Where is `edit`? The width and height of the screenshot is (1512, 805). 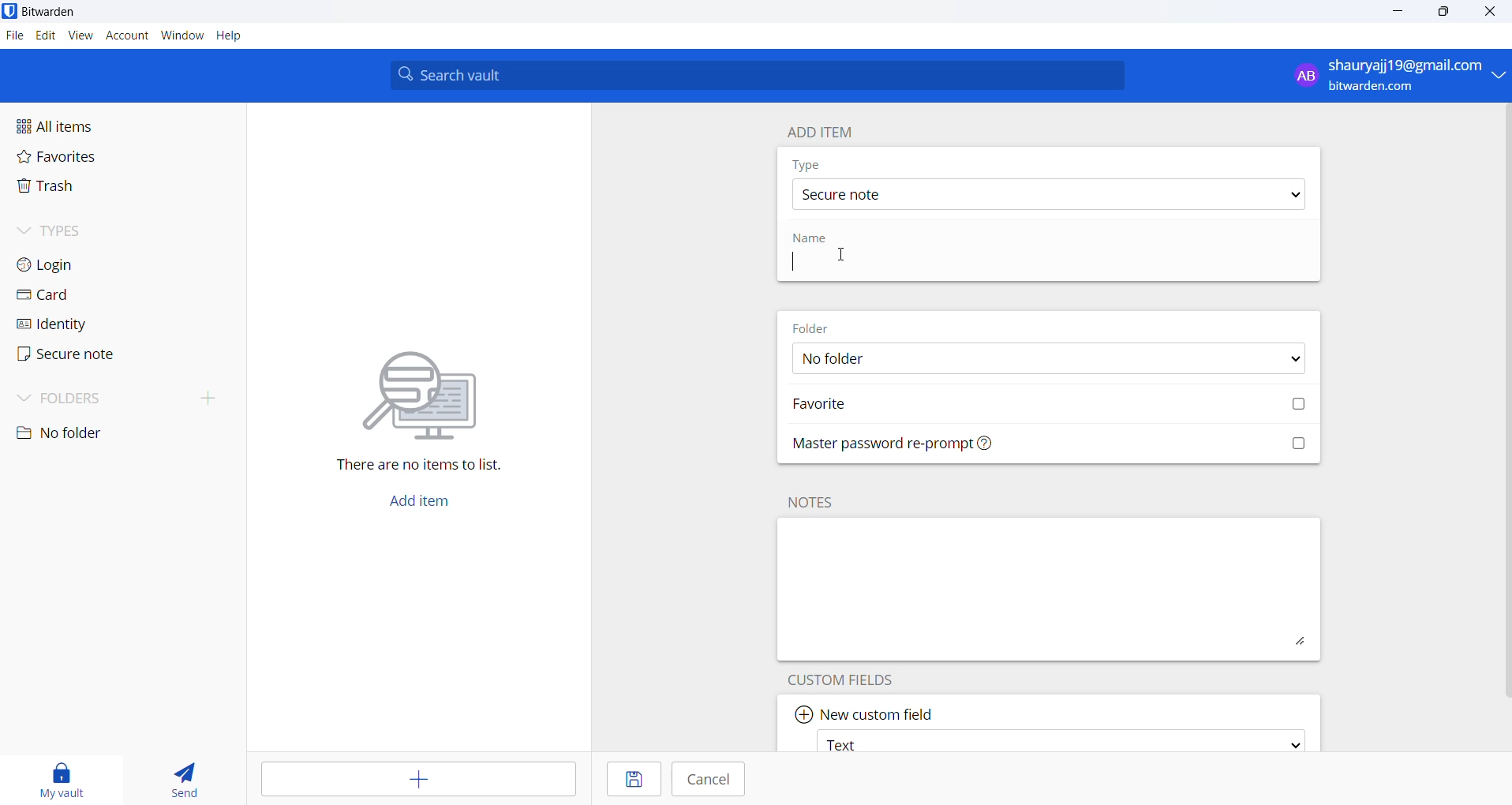 edit is located at coordinates (43, 35).